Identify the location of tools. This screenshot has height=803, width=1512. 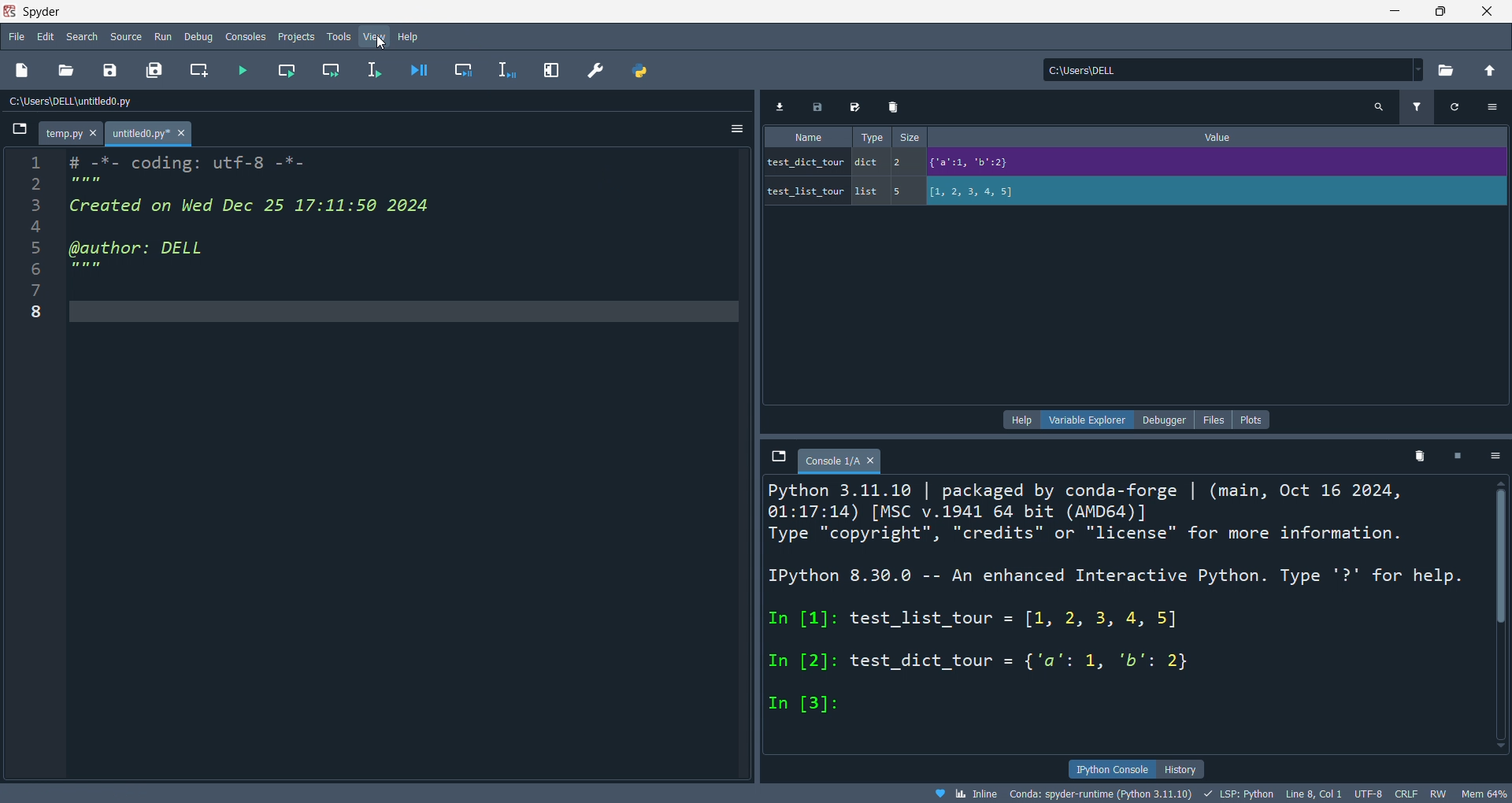
(337, 37).